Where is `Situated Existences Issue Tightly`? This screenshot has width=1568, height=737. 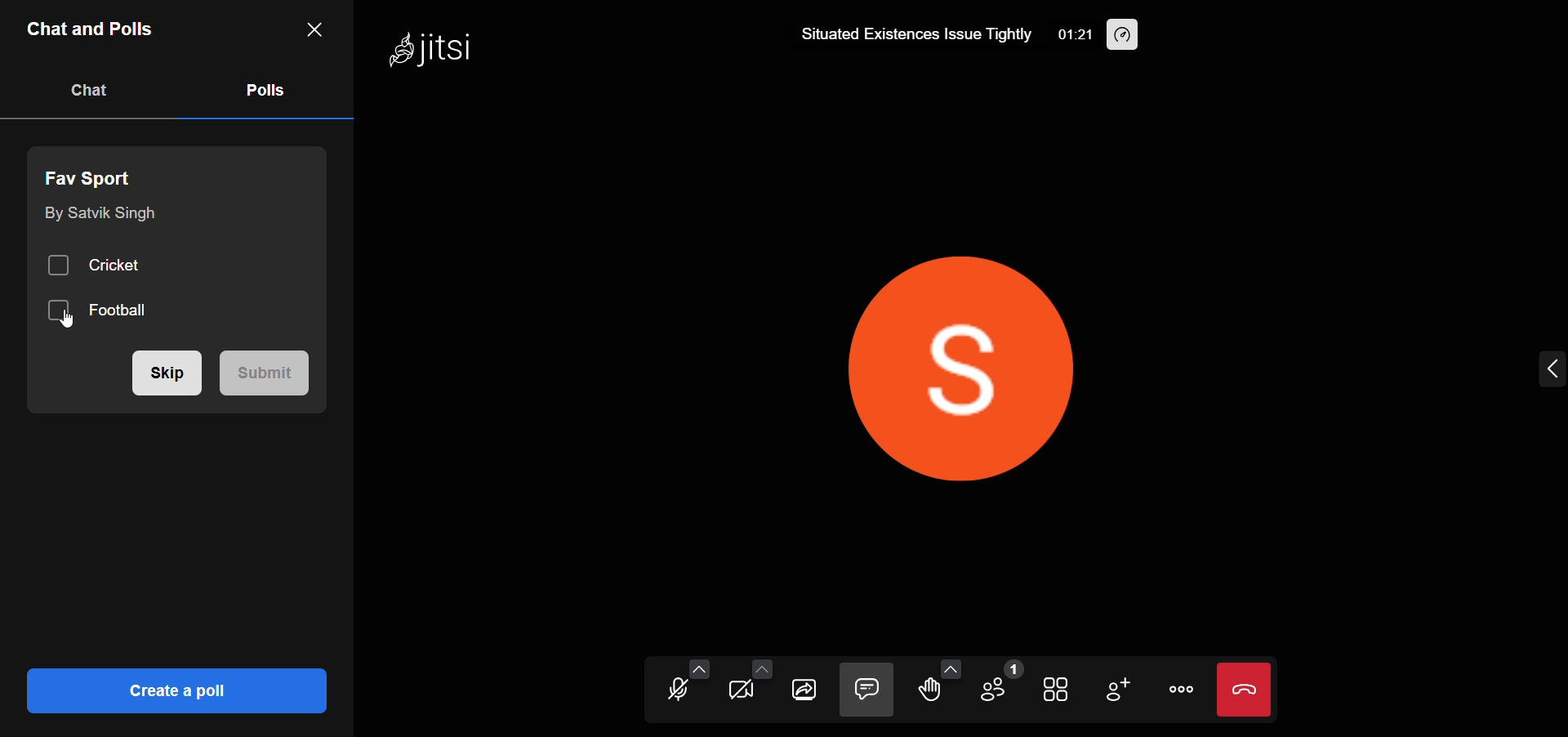 Situated Existences Issue Tightly is located at coordinates (905, 32).